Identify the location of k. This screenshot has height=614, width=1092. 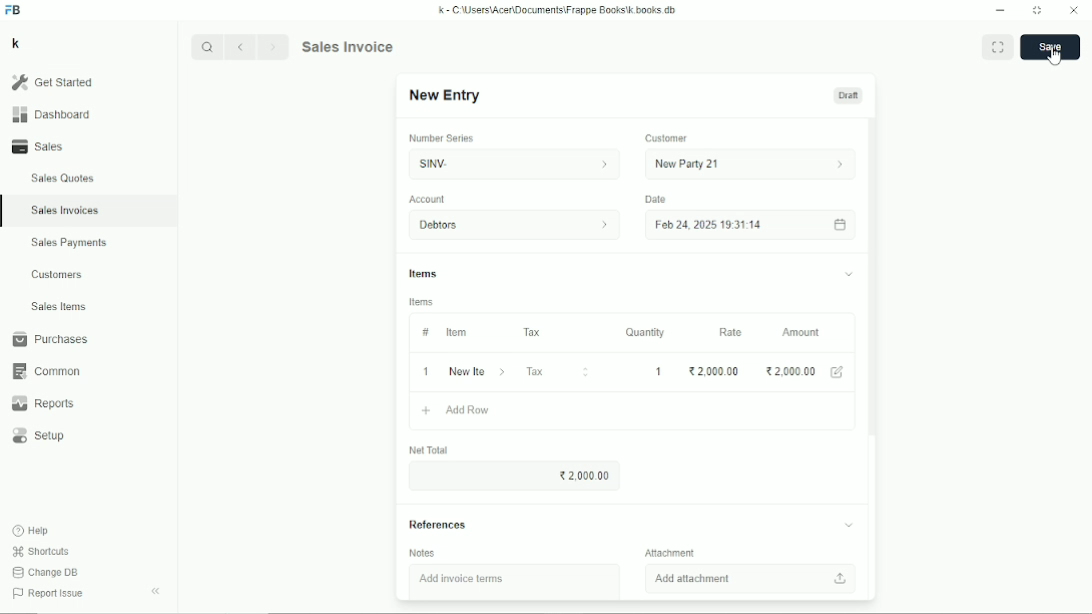
(15, 43).